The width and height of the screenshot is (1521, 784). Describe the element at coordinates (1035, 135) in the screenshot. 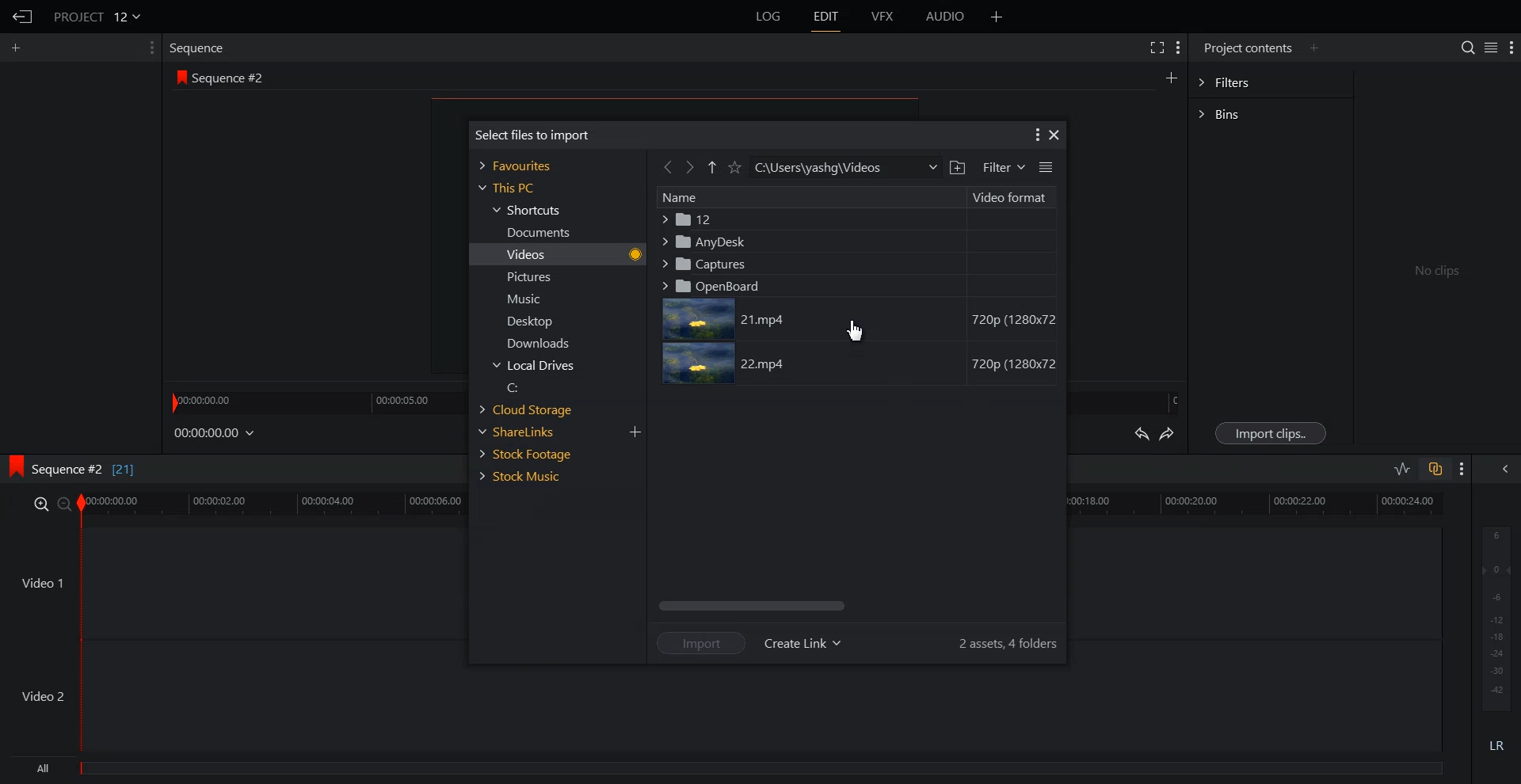

I see `Show Setting Menu` at that location.